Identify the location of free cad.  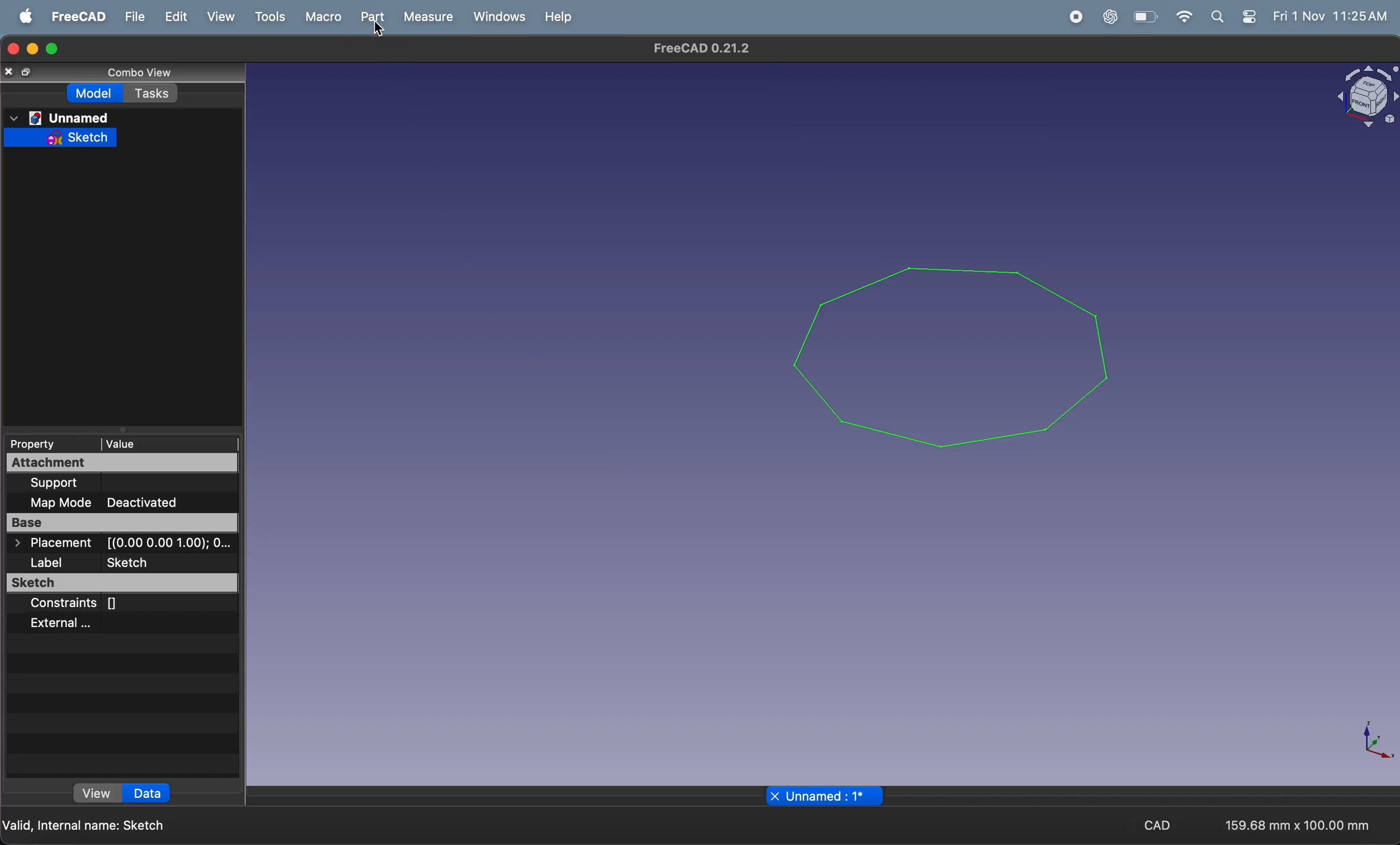
(73, 16).